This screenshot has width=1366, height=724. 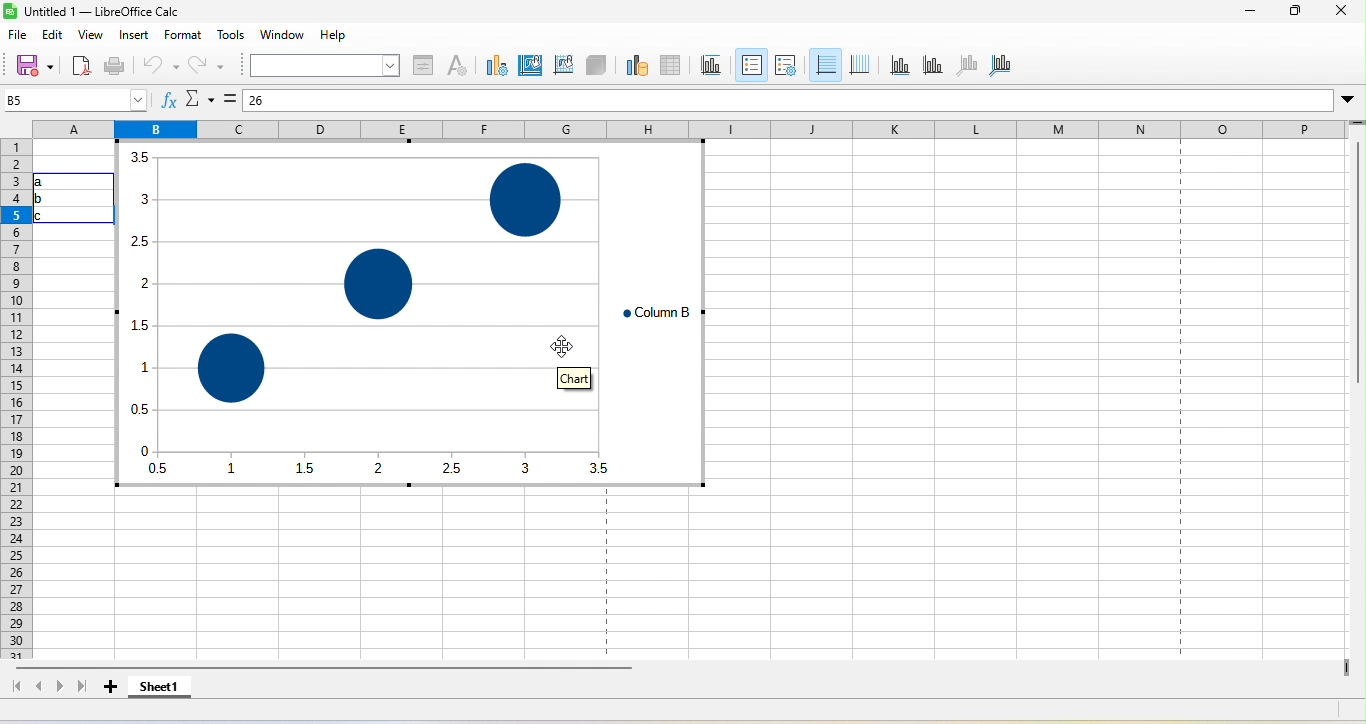 What do you see at coordinates (567, 346) in the screenshot?
I see `cursor` at bounding box center [567, 346].